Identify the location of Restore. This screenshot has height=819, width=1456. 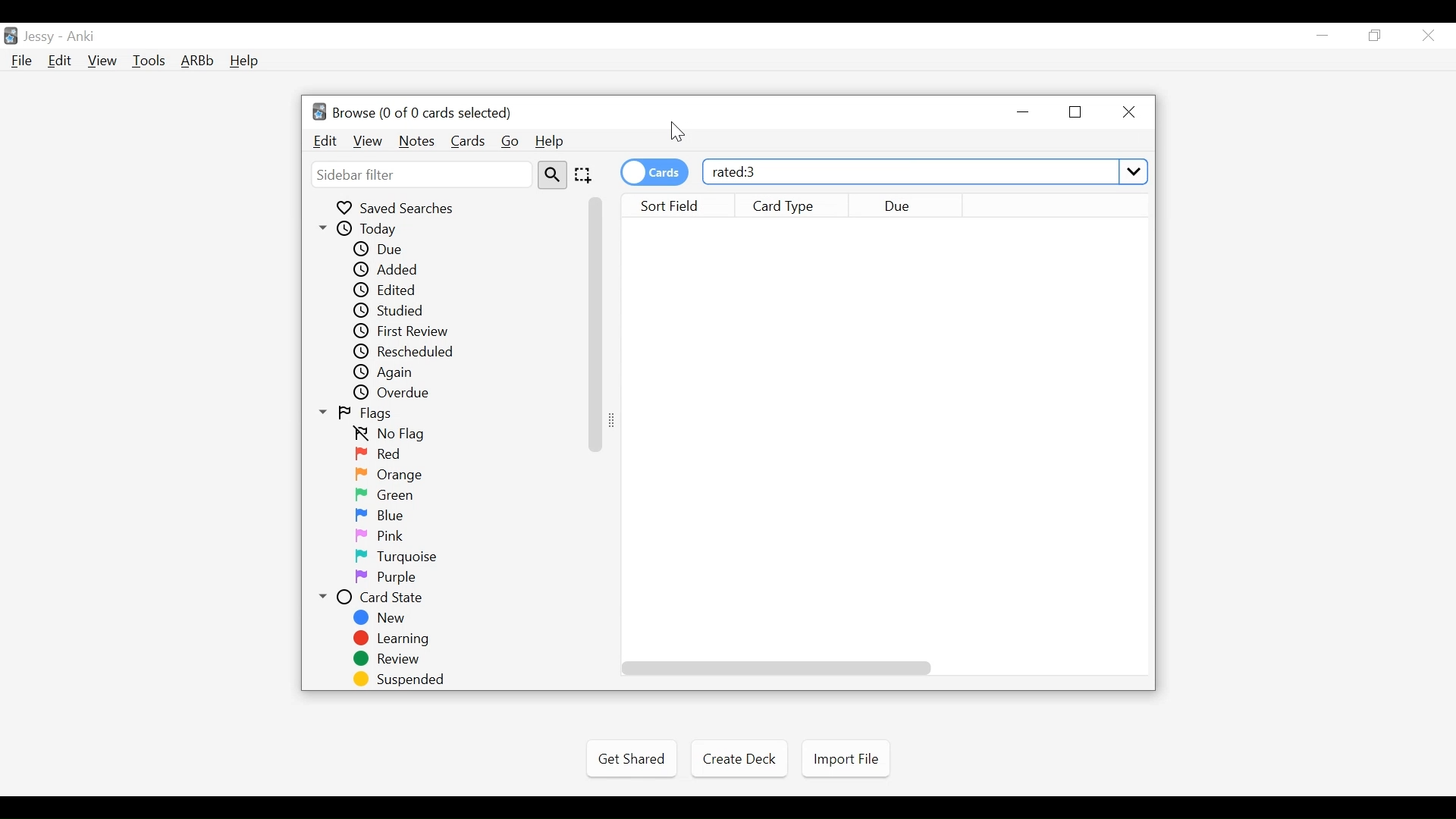
(1377, 36).